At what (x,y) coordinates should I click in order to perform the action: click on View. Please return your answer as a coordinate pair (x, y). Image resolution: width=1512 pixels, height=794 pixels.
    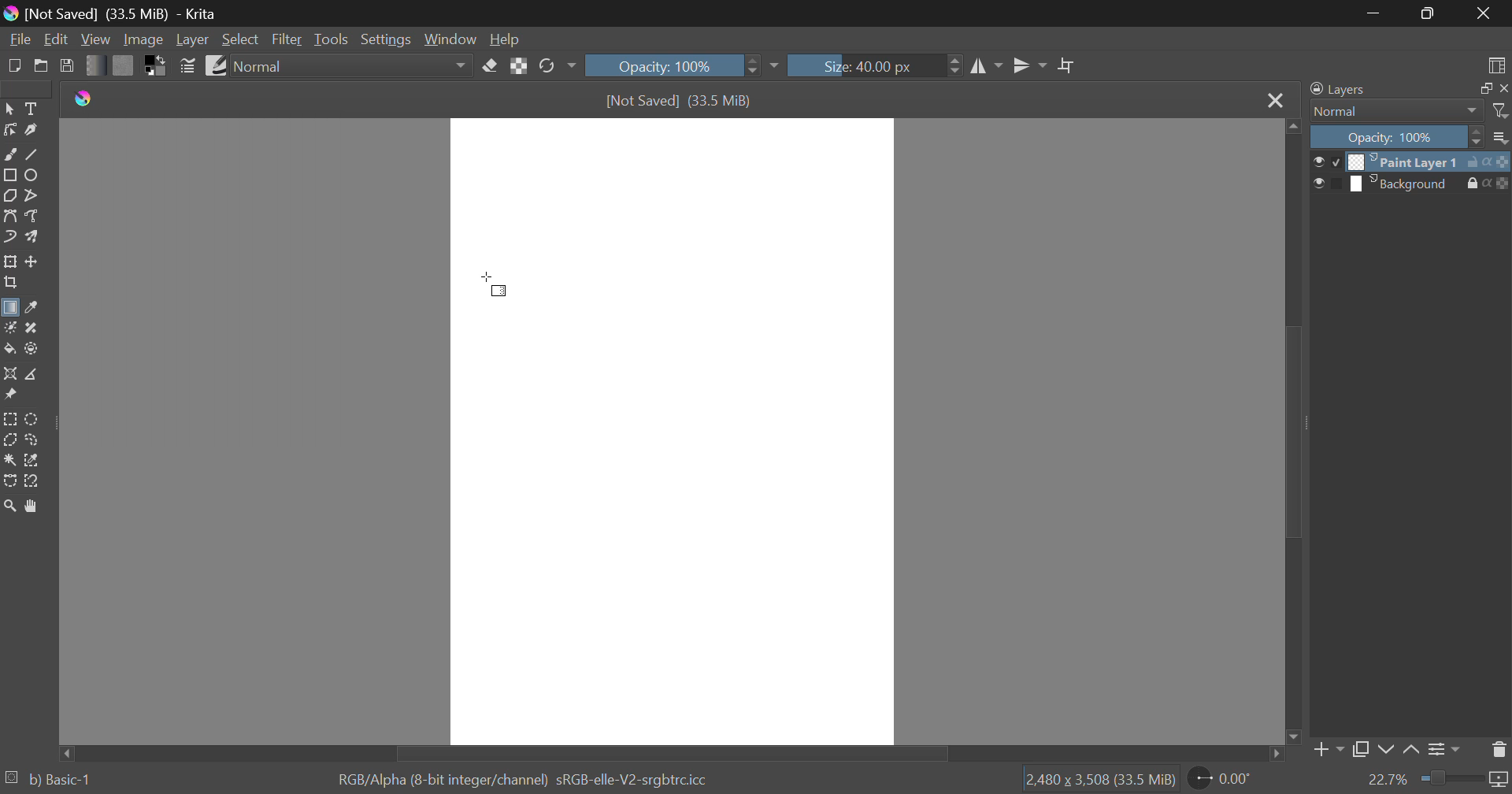
    Looking at the image, I should click on (96, 39).